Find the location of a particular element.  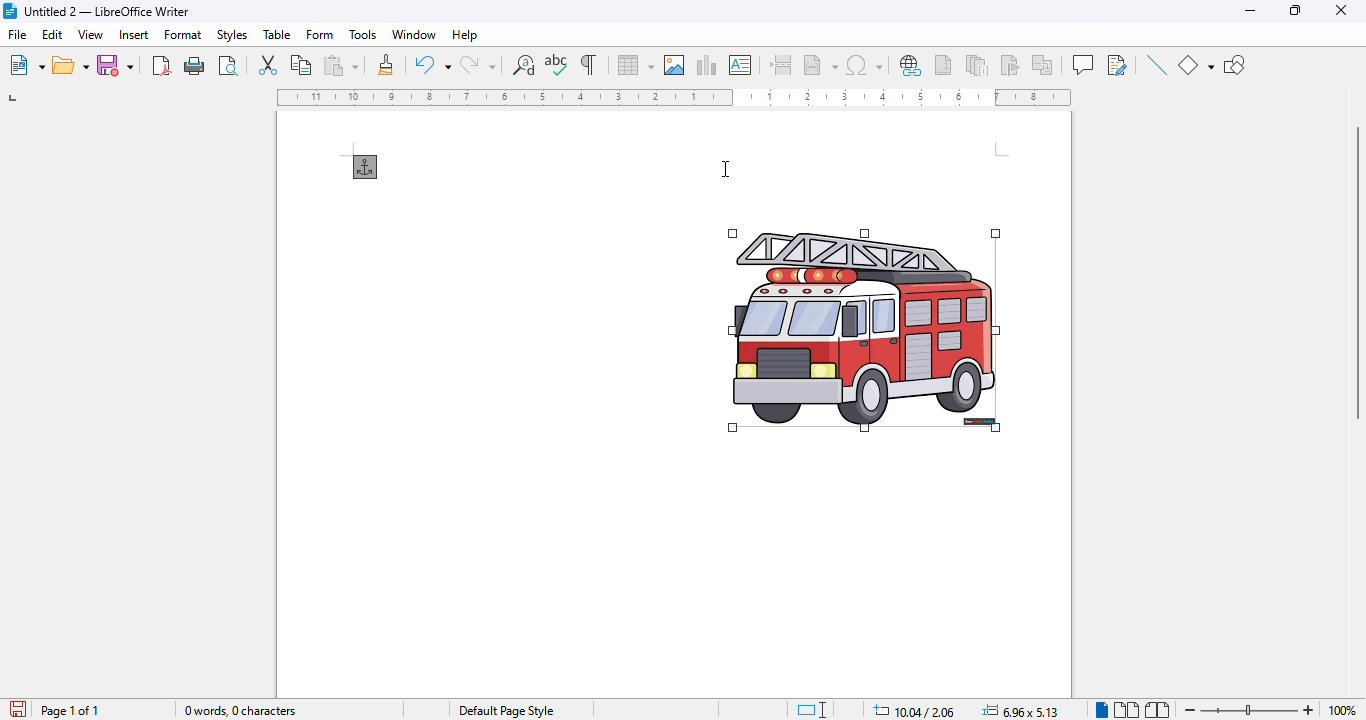

form is located at coordinates (321, 34).